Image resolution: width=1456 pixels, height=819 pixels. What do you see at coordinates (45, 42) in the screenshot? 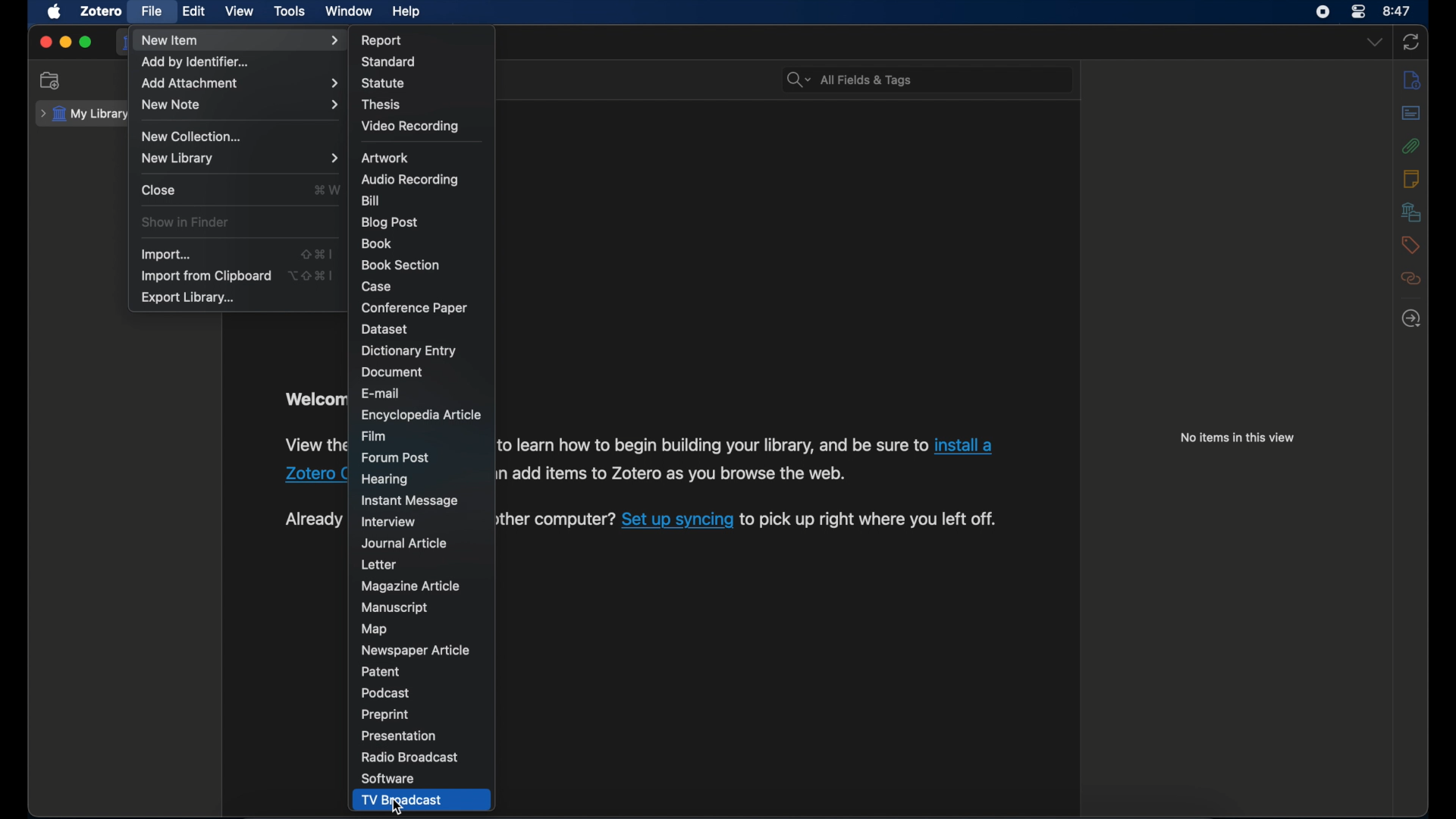
I see `close` at bounding box center [45, 42].